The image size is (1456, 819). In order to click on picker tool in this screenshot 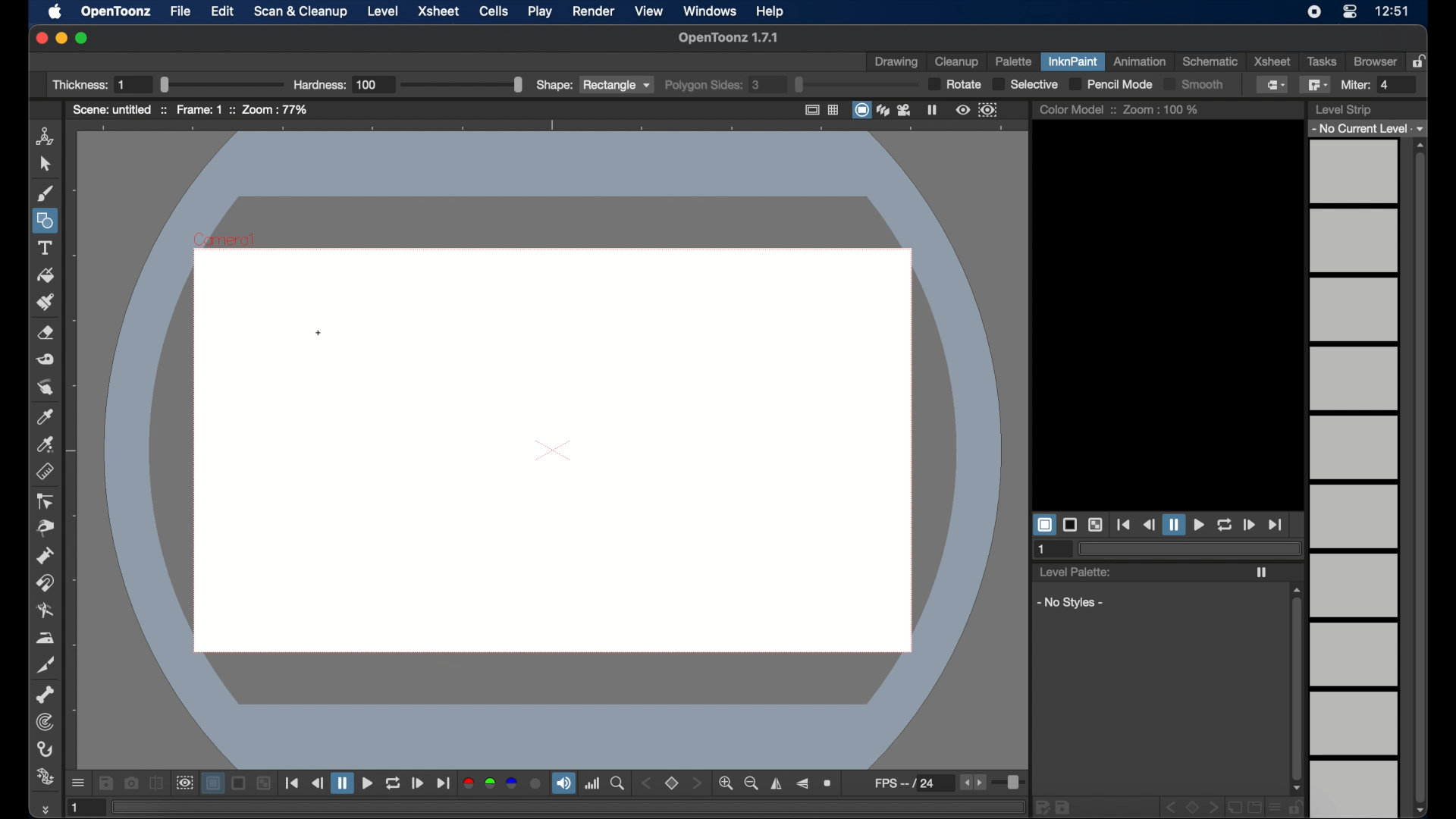, I will do `click(45, 416)`.